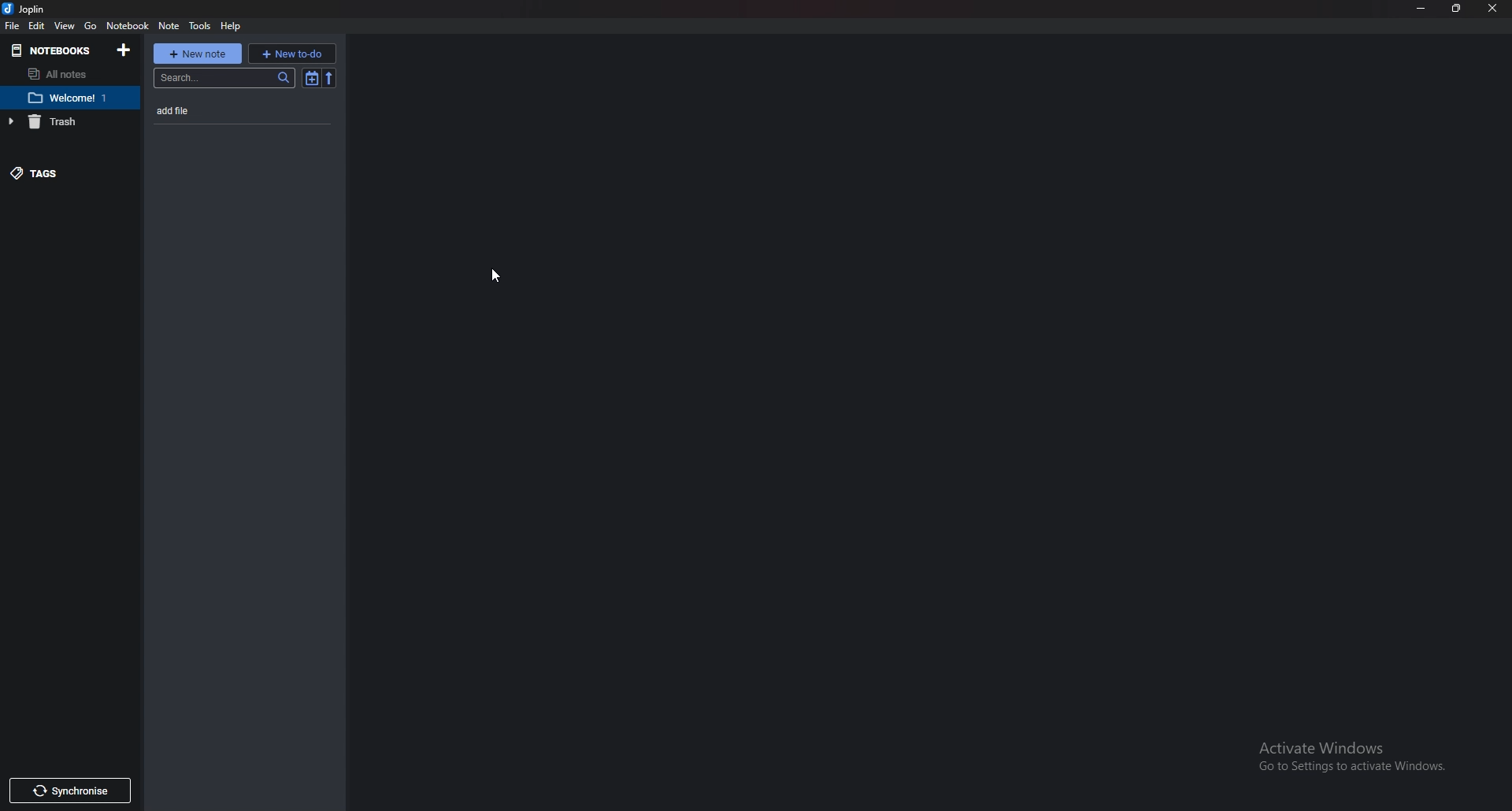 This screenshot has width=1512, height=811. What do you see at coordinates (1350, 757) in the screenshot?
I see `activate windows` at bounding box center [1350, 757].